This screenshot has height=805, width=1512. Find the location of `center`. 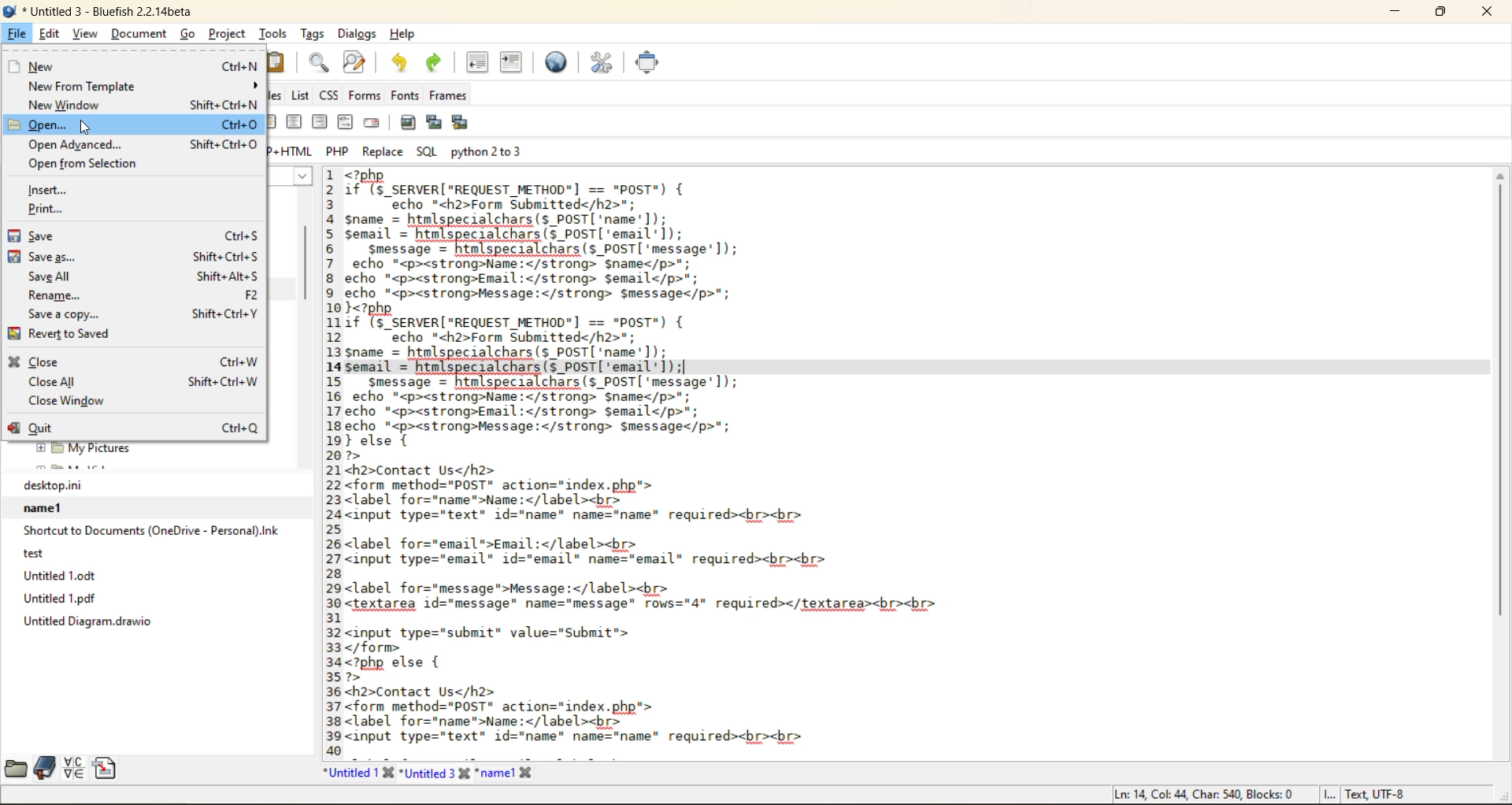

center is located at coordinates (295, 122).